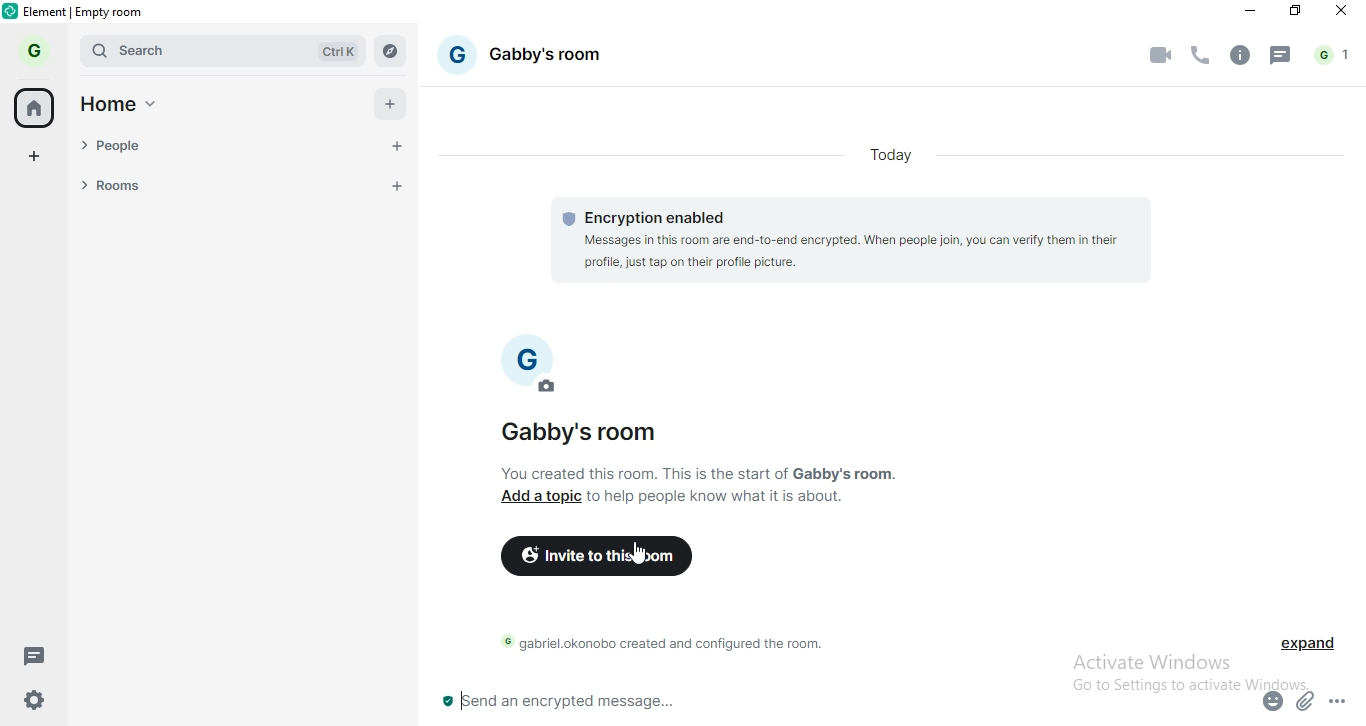 The height and width of the screenshot is (726, 1366). What do you see at coordinates (1243, 11) in the screenshot?
I see `minimise` at bounding box center [1243, 11].